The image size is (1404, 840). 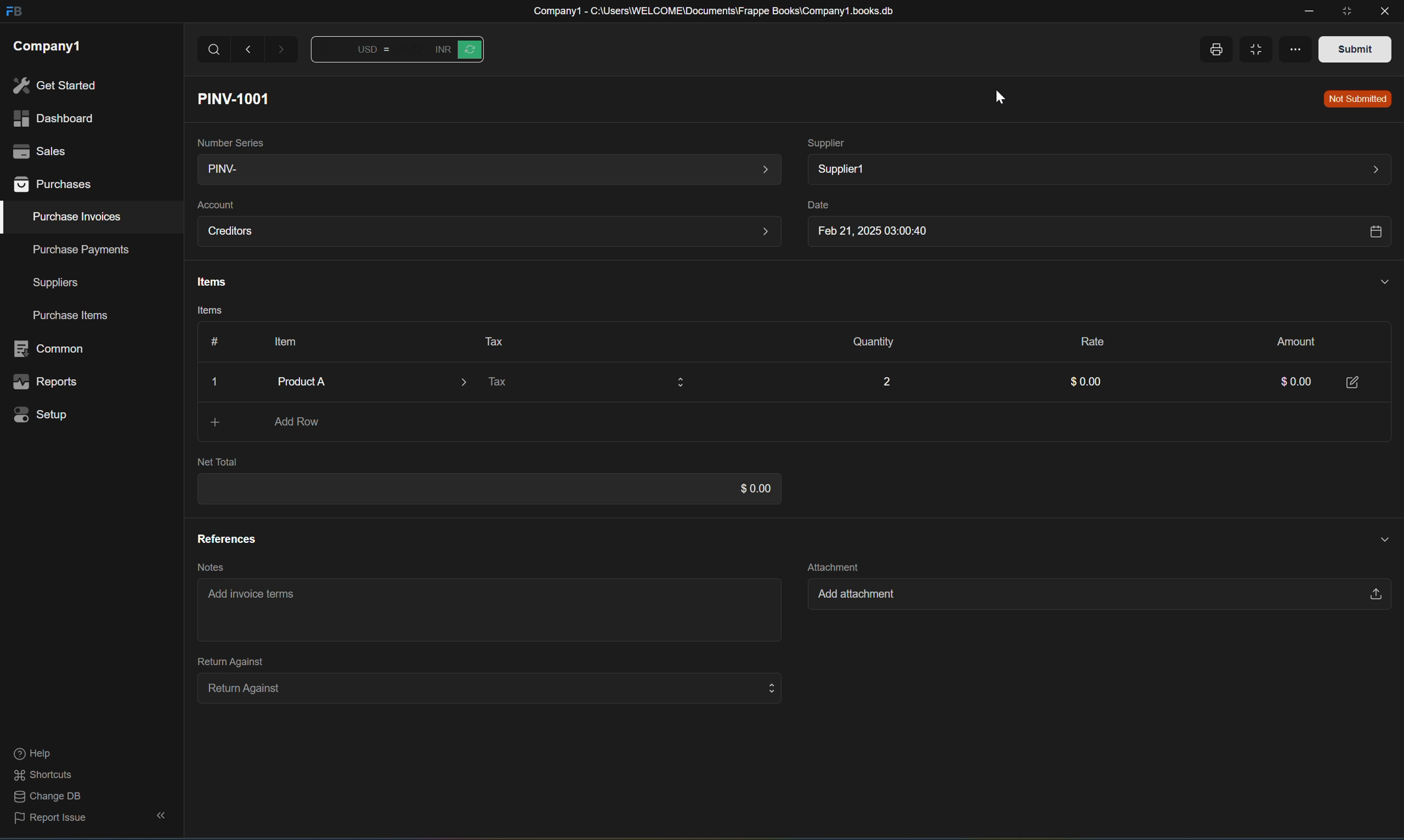 I want to click on get started, so click(x=54, y=85).